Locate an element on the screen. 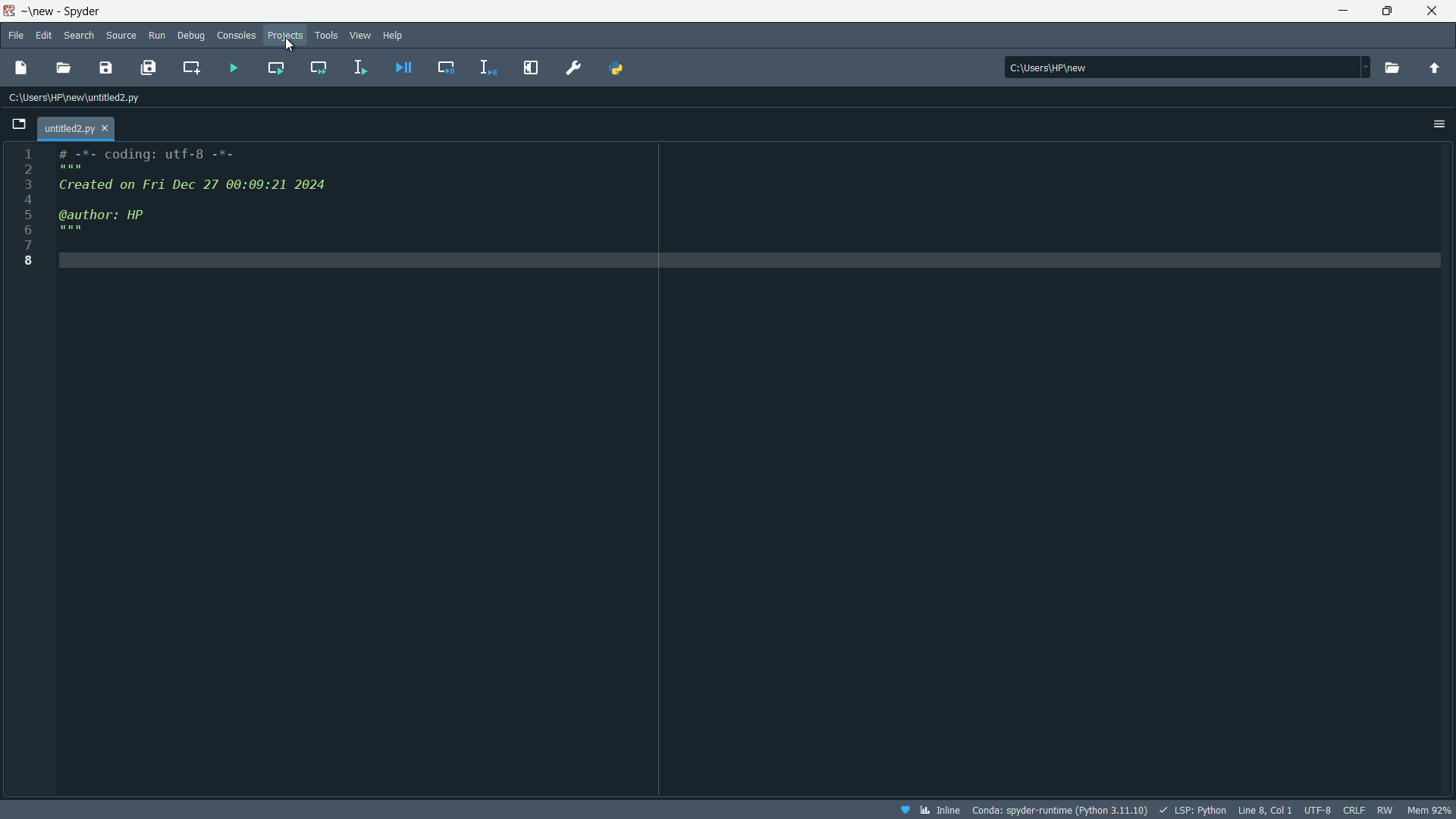 This screenshot has height=819, width=1456. maximize current screen is located at coordinates (530, 67).